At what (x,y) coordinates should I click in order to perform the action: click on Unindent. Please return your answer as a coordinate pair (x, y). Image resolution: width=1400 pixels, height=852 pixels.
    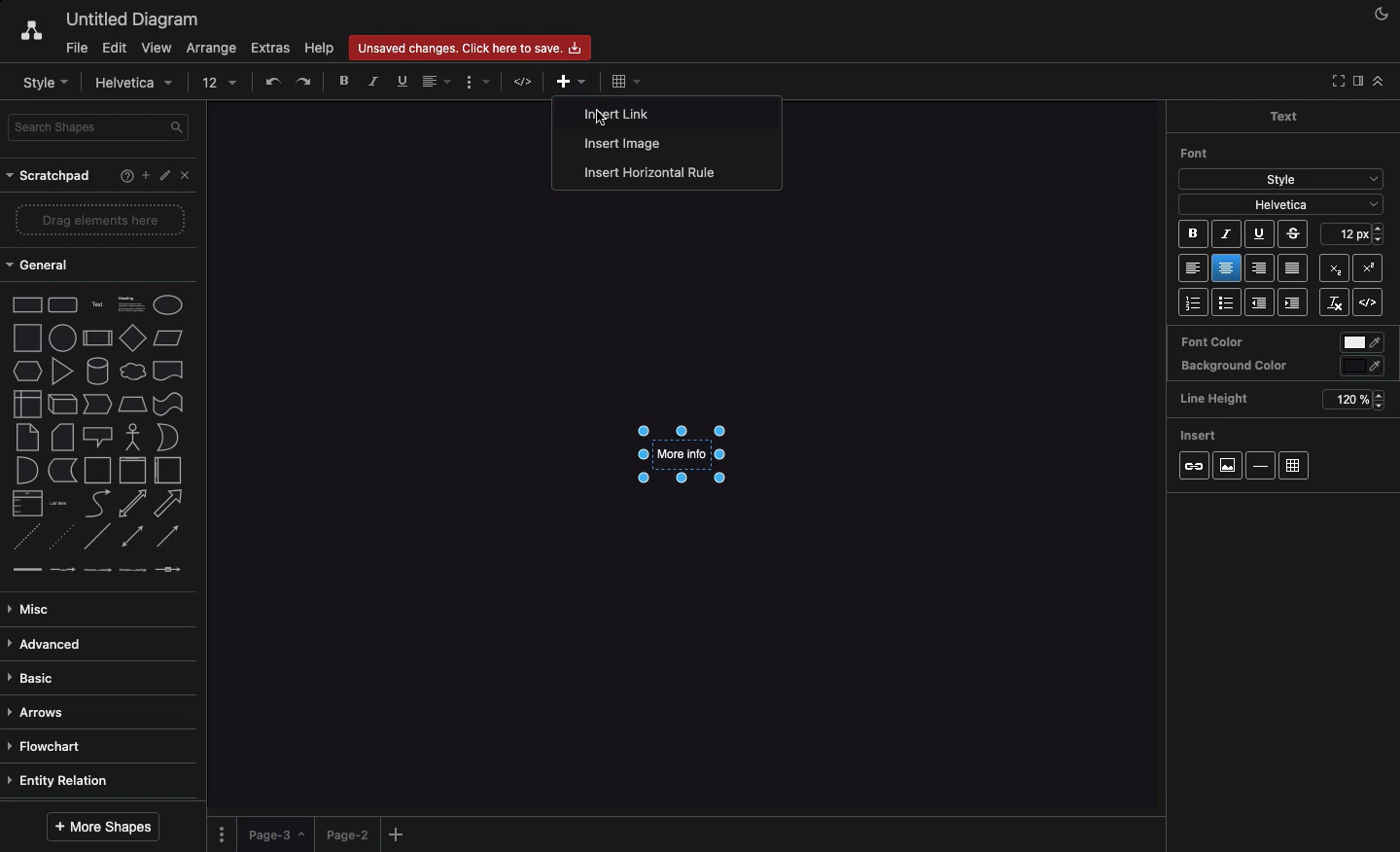
    Looking at the image, I should click on (1262, 302).